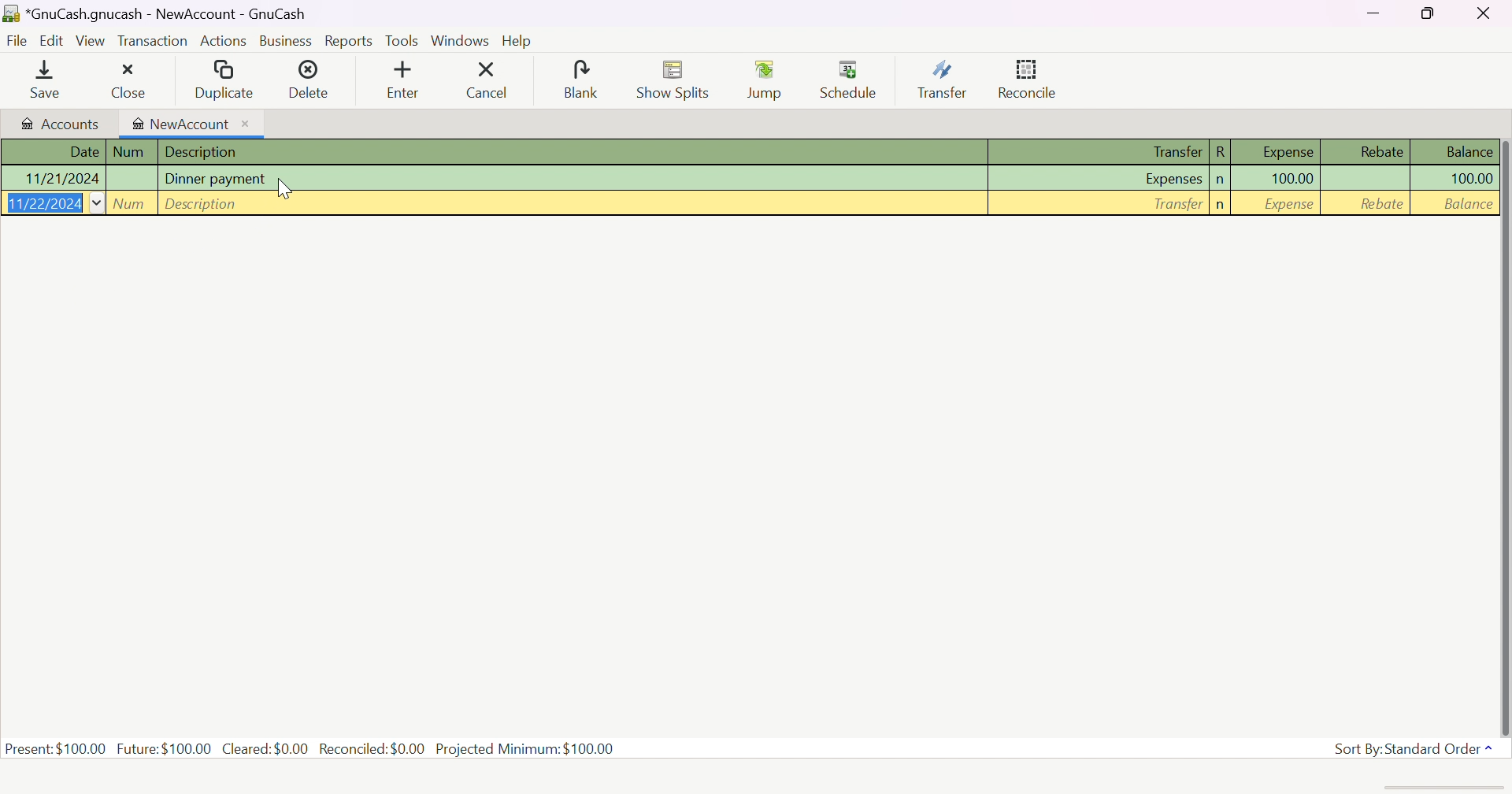 This screenshot has height=794, width=1512. I want to click on Future: $0.00, so click(166, 747).